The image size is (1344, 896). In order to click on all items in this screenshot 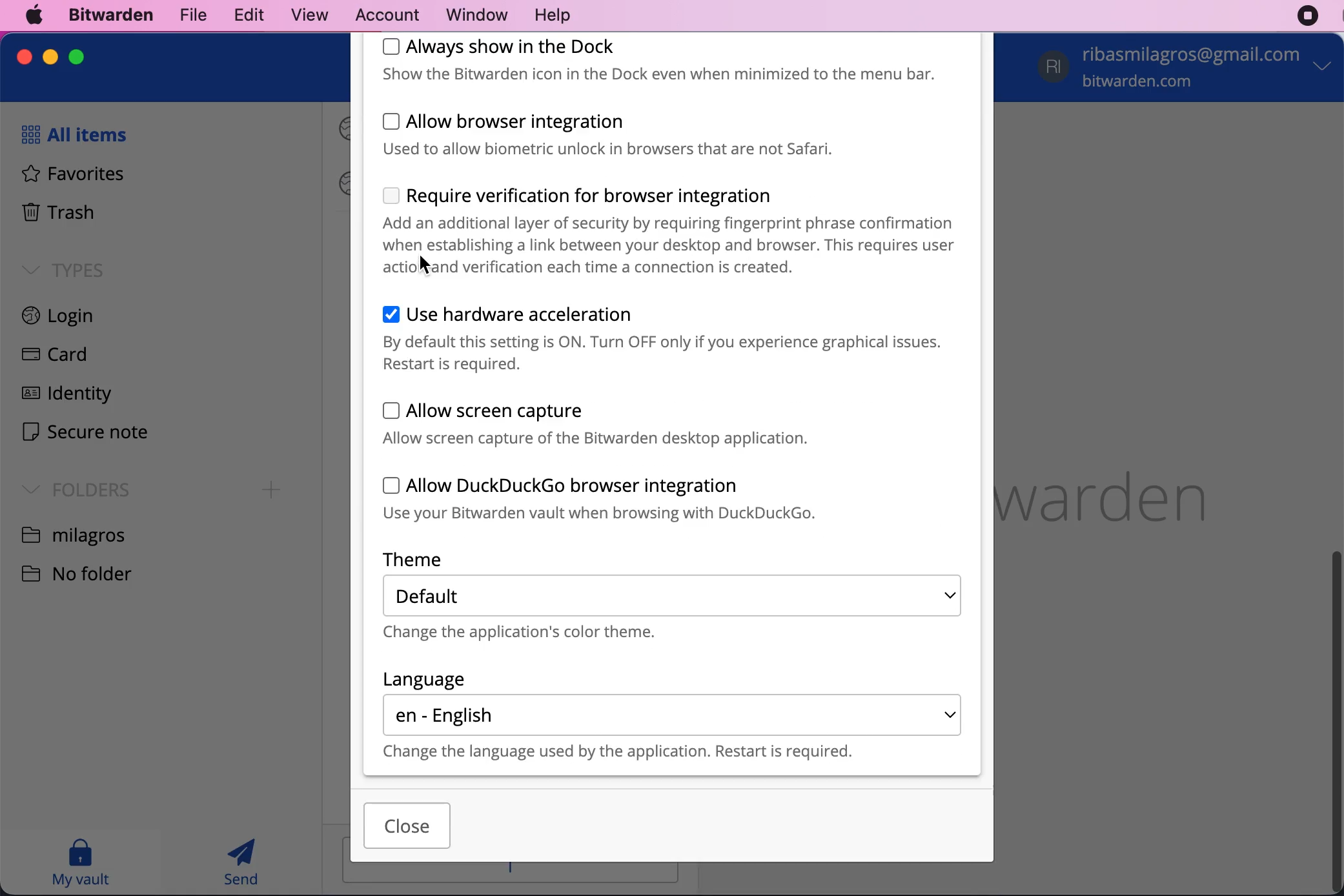, I will do `click(70, 134)`.